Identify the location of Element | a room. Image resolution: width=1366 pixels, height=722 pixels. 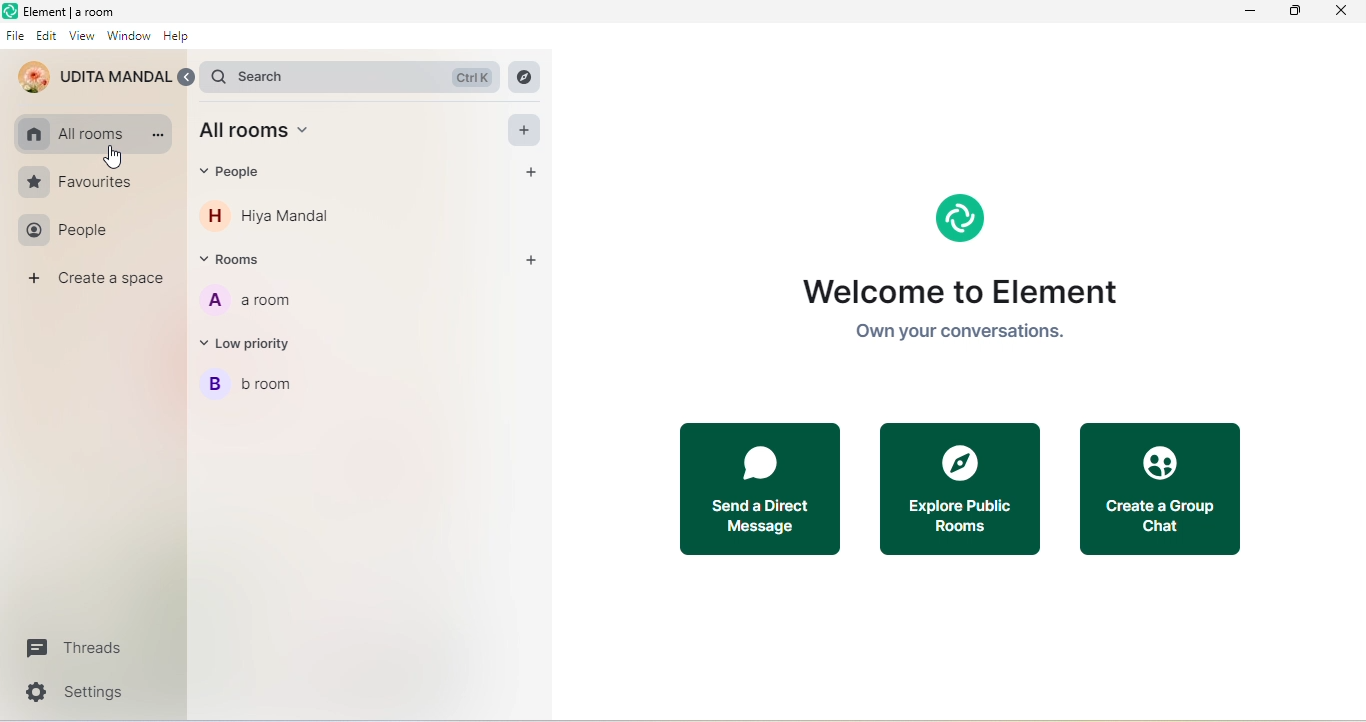
(70, 11).